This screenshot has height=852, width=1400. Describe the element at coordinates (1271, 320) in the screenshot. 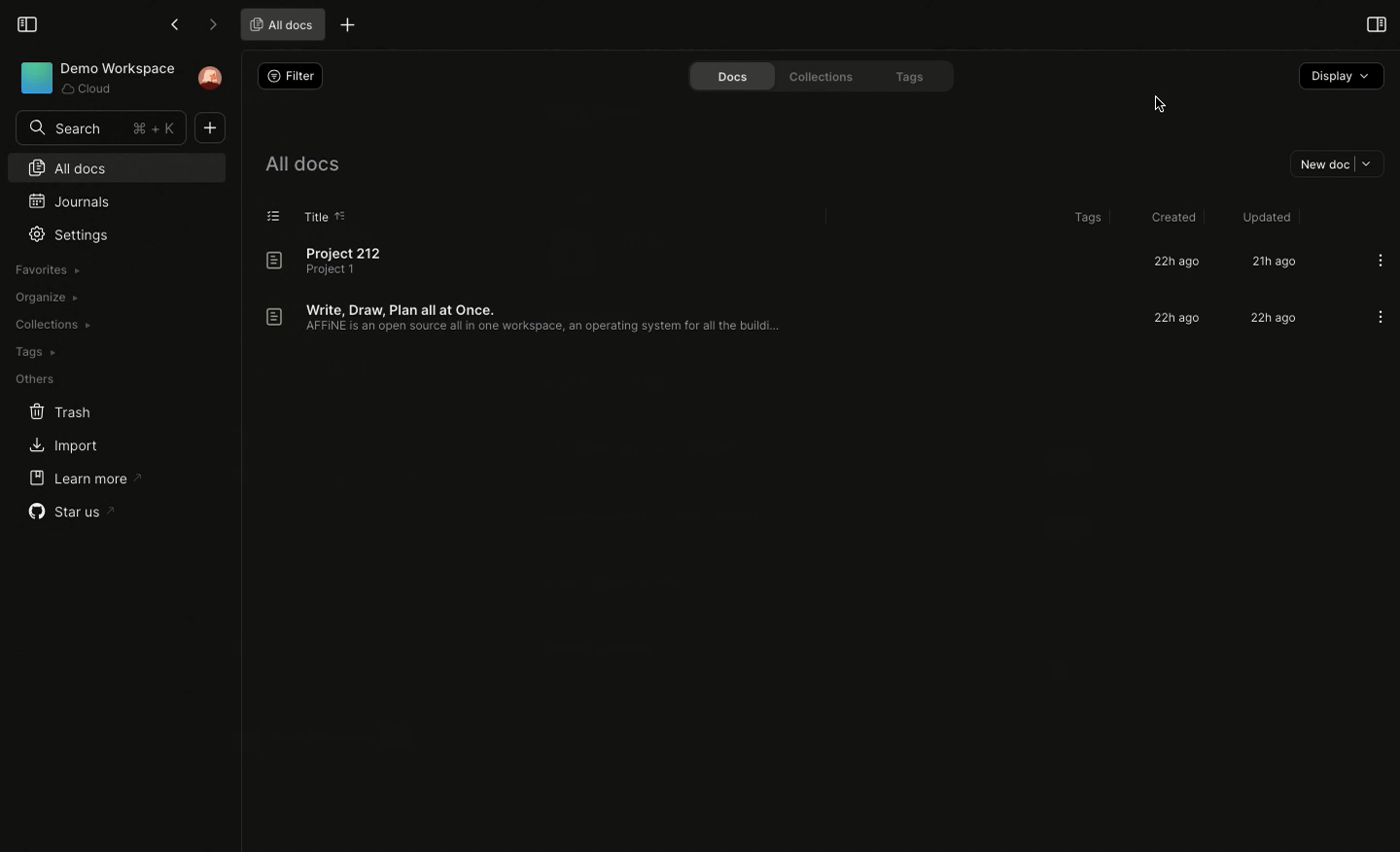

I see `22h ago` at that location.